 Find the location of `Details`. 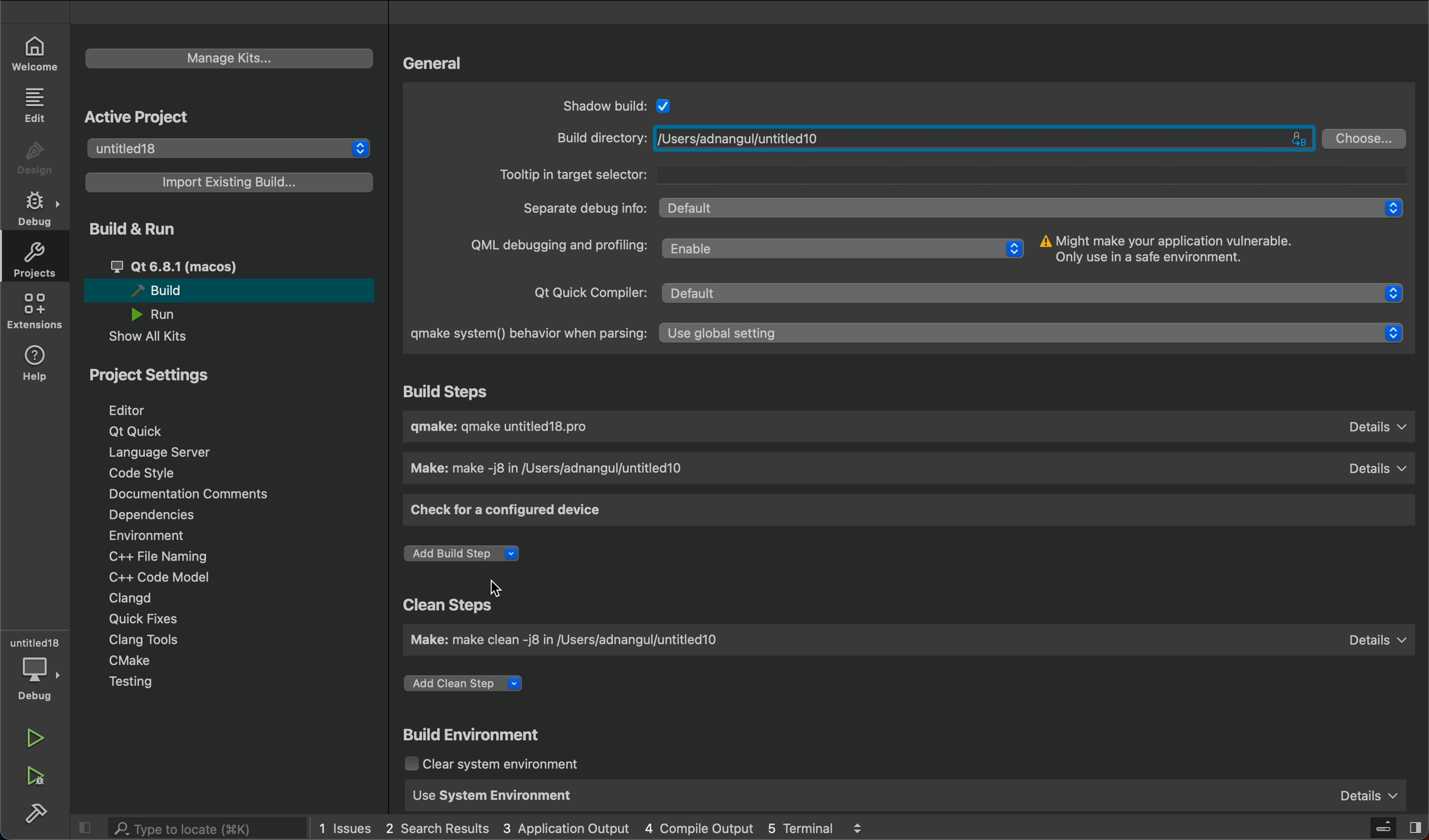

Details is located at coordinates (1378, 427).